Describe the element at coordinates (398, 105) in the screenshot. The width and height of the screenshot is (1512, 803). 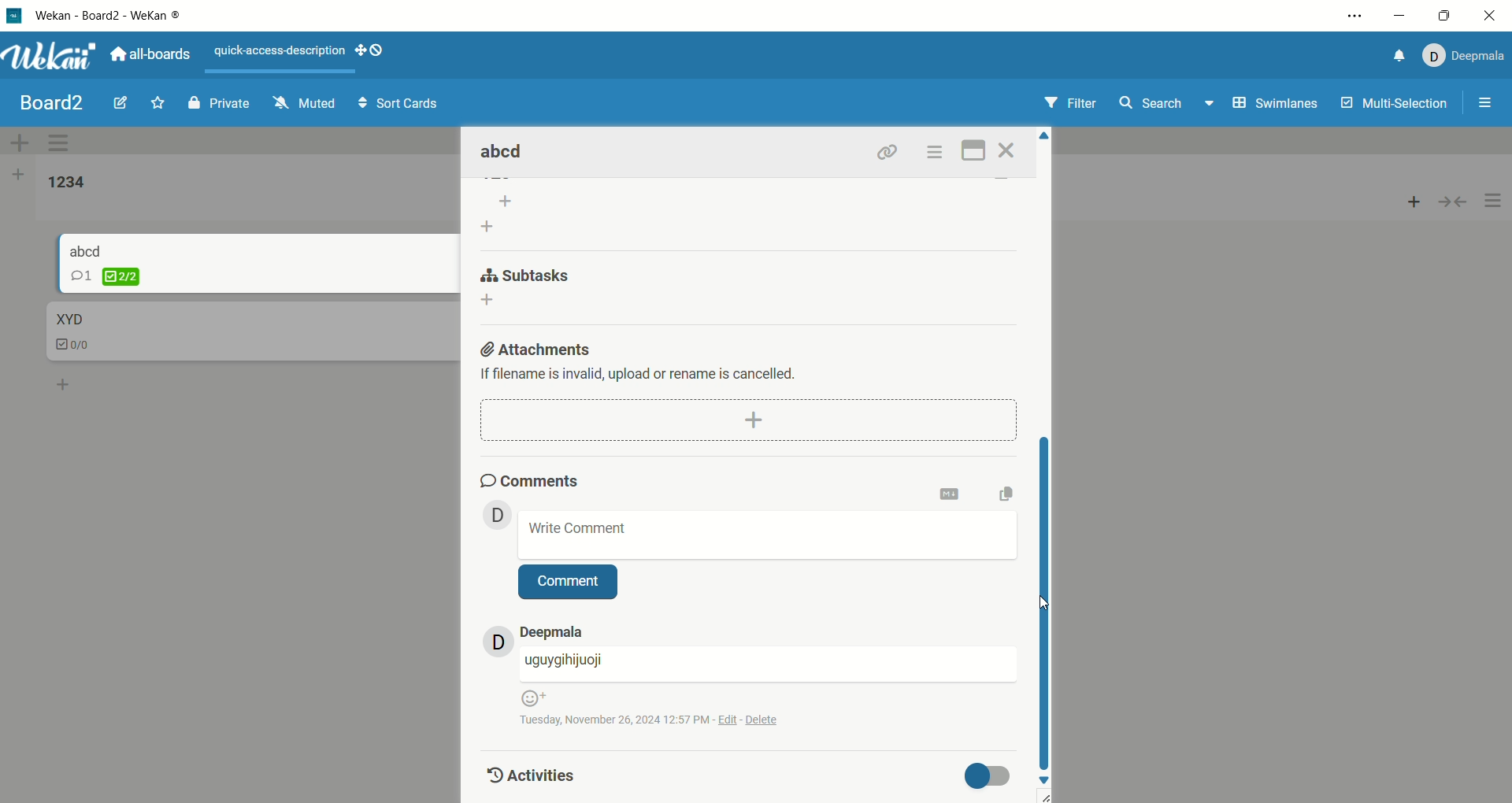
I see `sort cards` at that location.